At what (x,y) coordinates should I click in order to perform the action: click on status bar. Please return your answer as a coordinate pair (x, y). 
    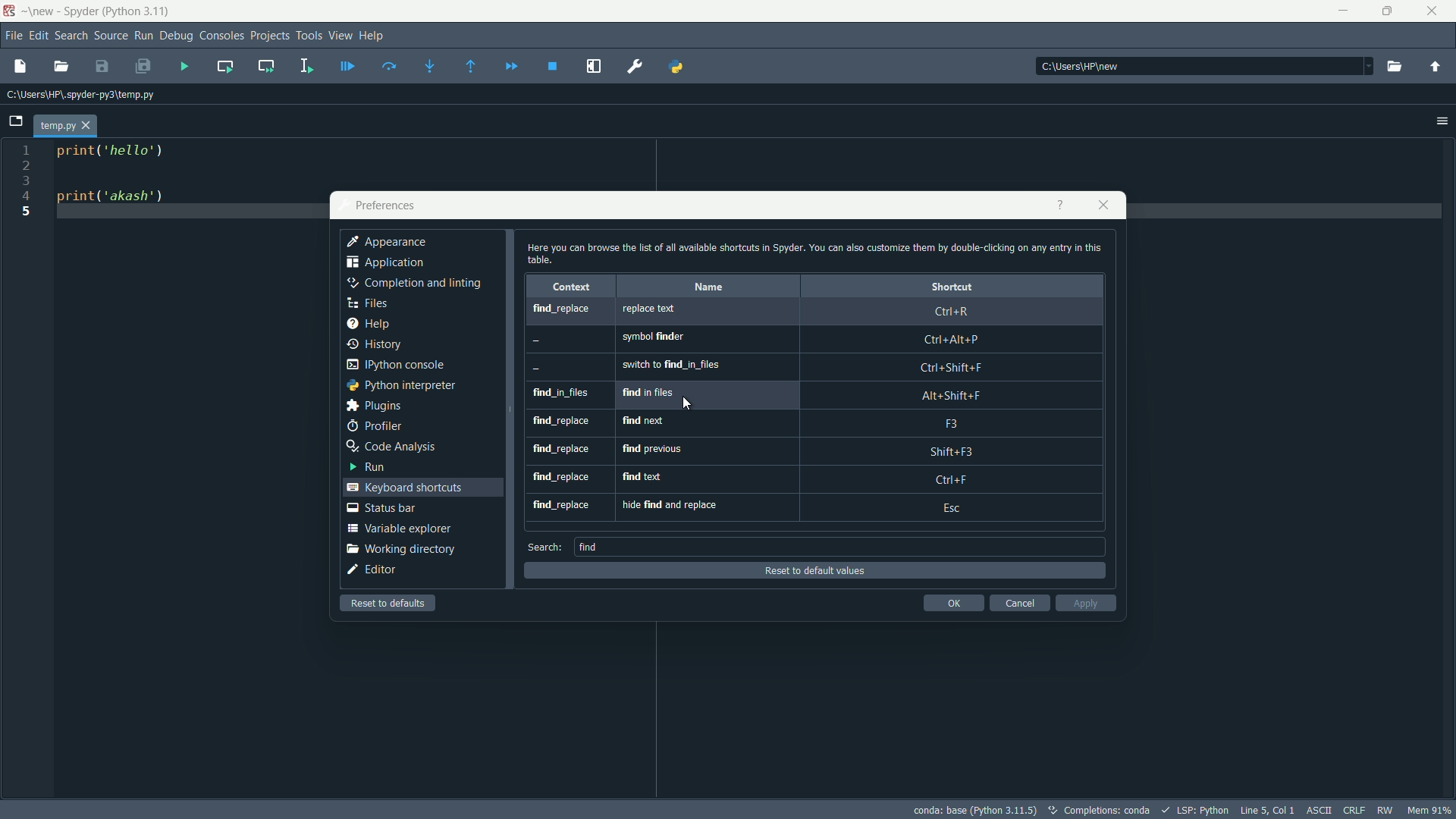
    Looking at the image, I should click on (386, 509).